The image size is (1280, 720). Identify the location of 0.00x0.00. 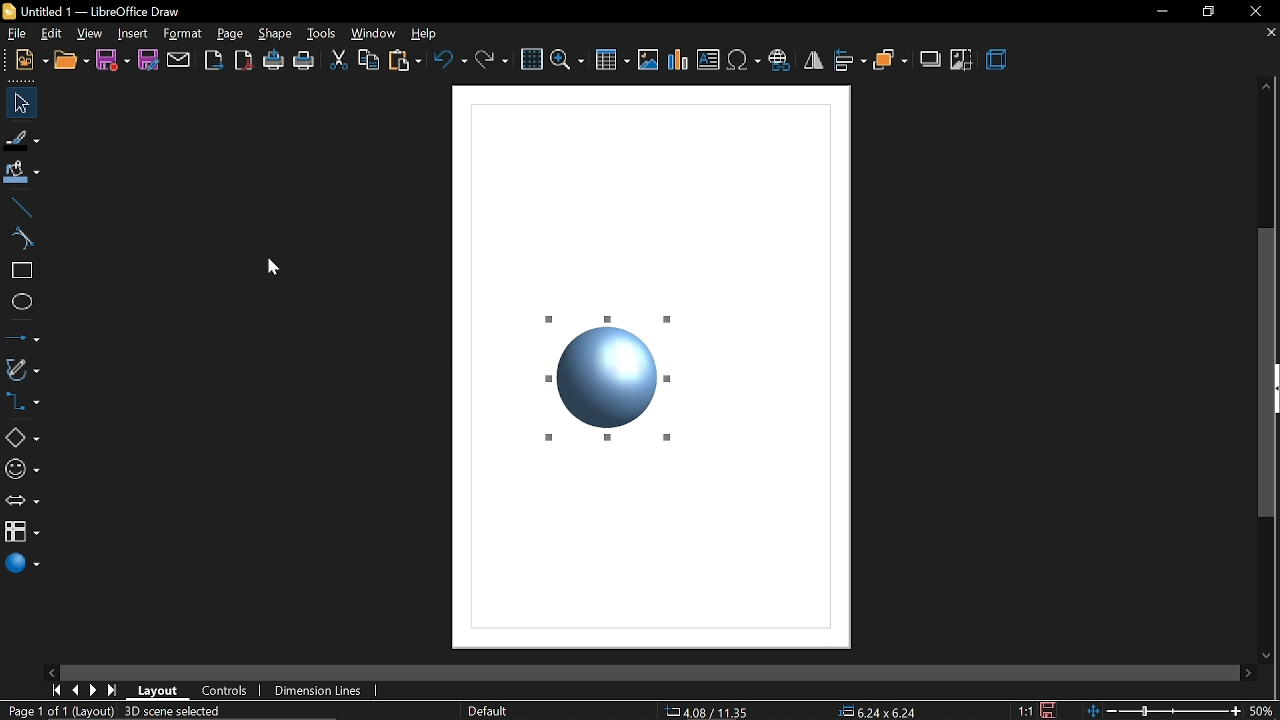
(874, 712).